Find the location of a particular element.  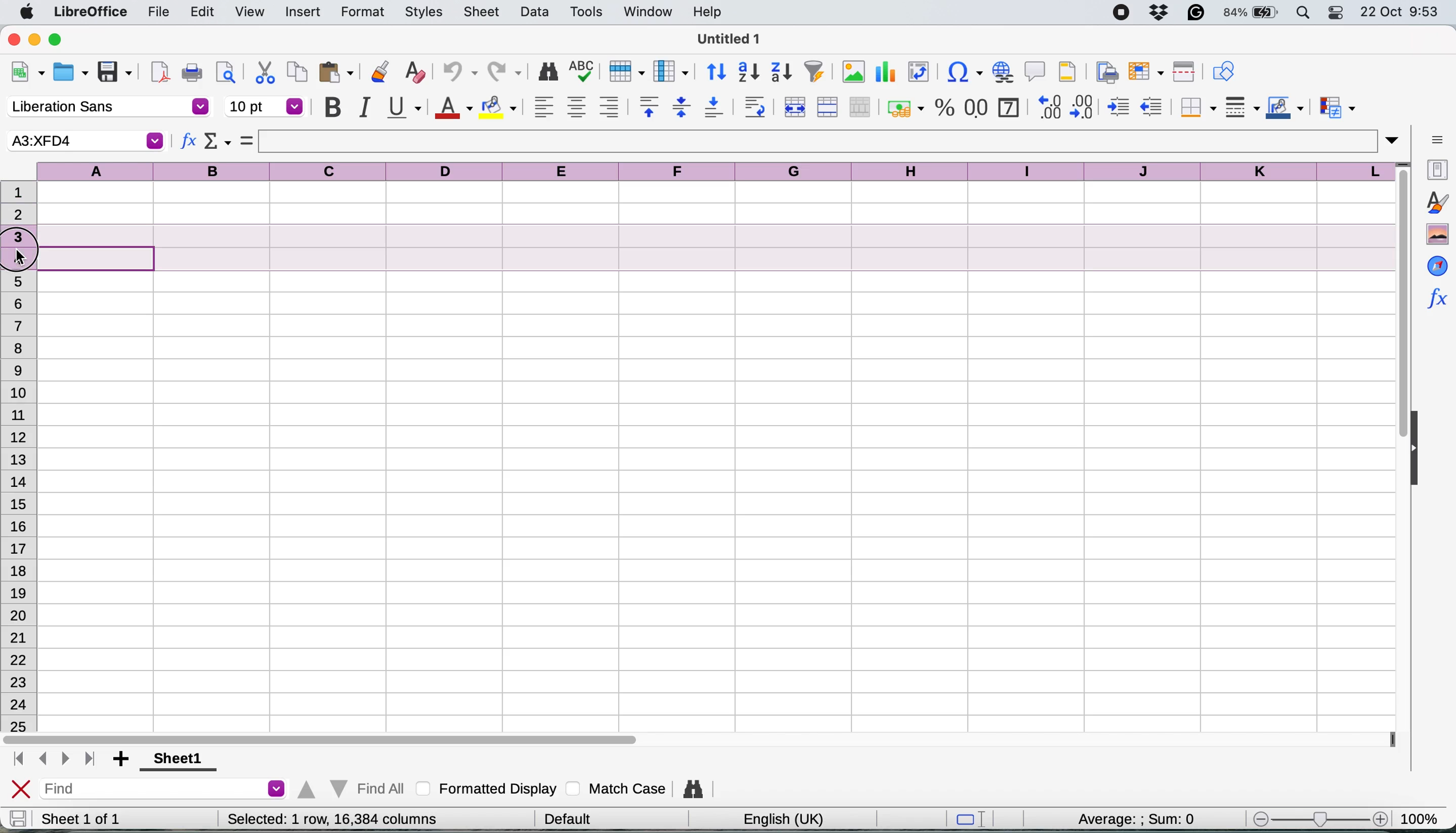

insert hyperlink is located at coordinates (960, 74).